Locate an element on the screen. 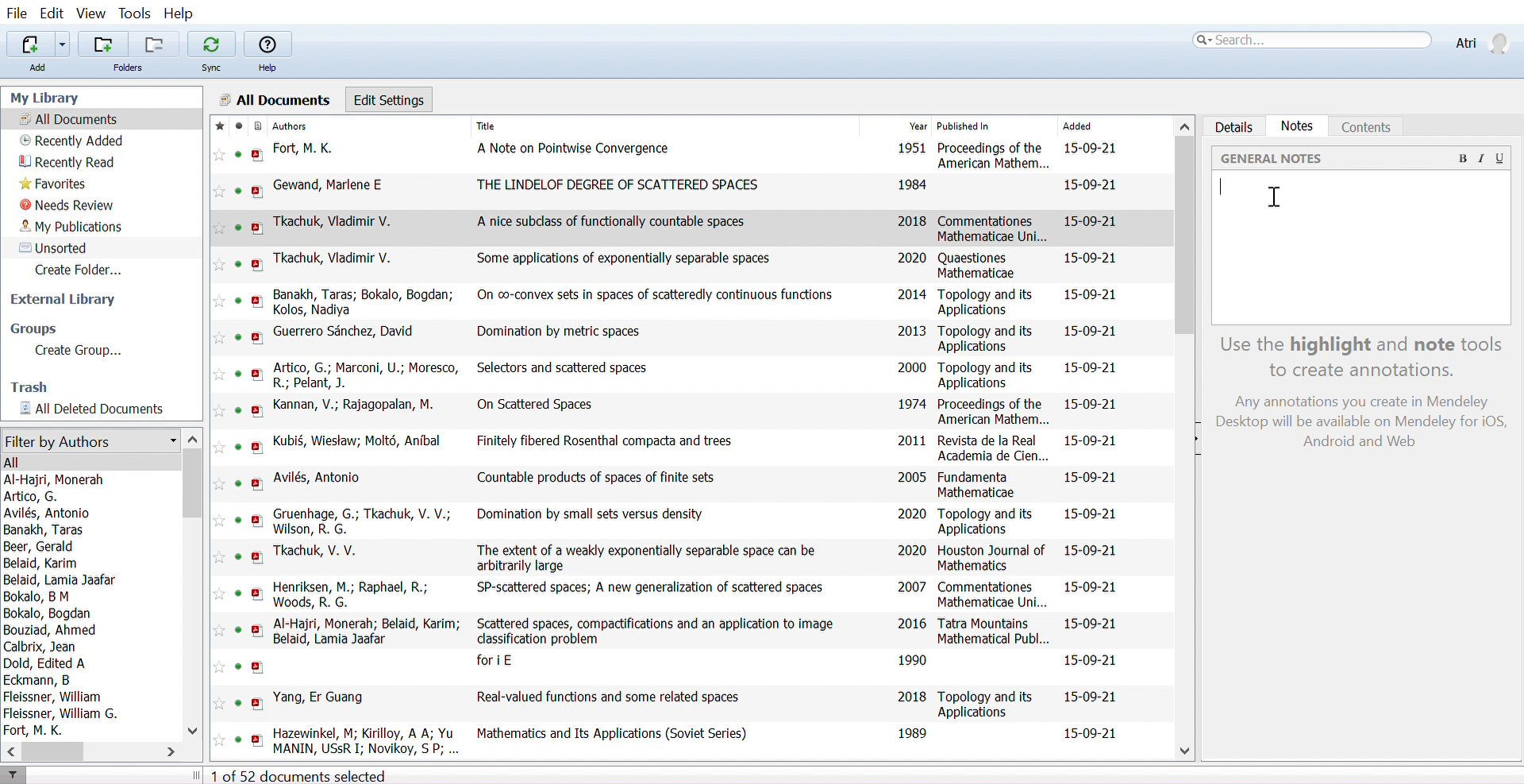 The height and width of the screenshot is (784, 1524). Add this reference to favorites is located at coordinates (220, 704).